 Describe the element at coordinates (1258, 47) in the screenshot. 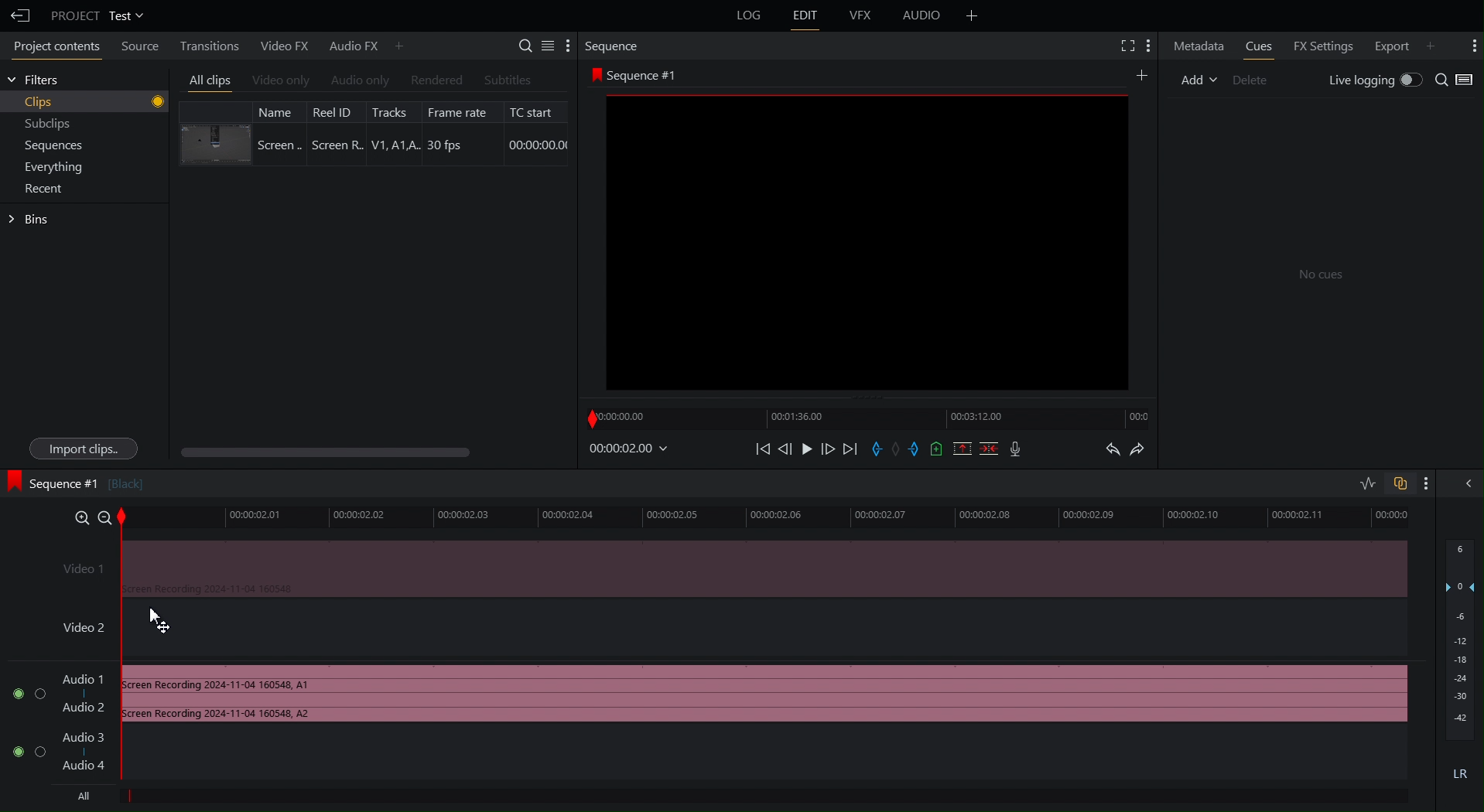

I see `Cues` at that location.